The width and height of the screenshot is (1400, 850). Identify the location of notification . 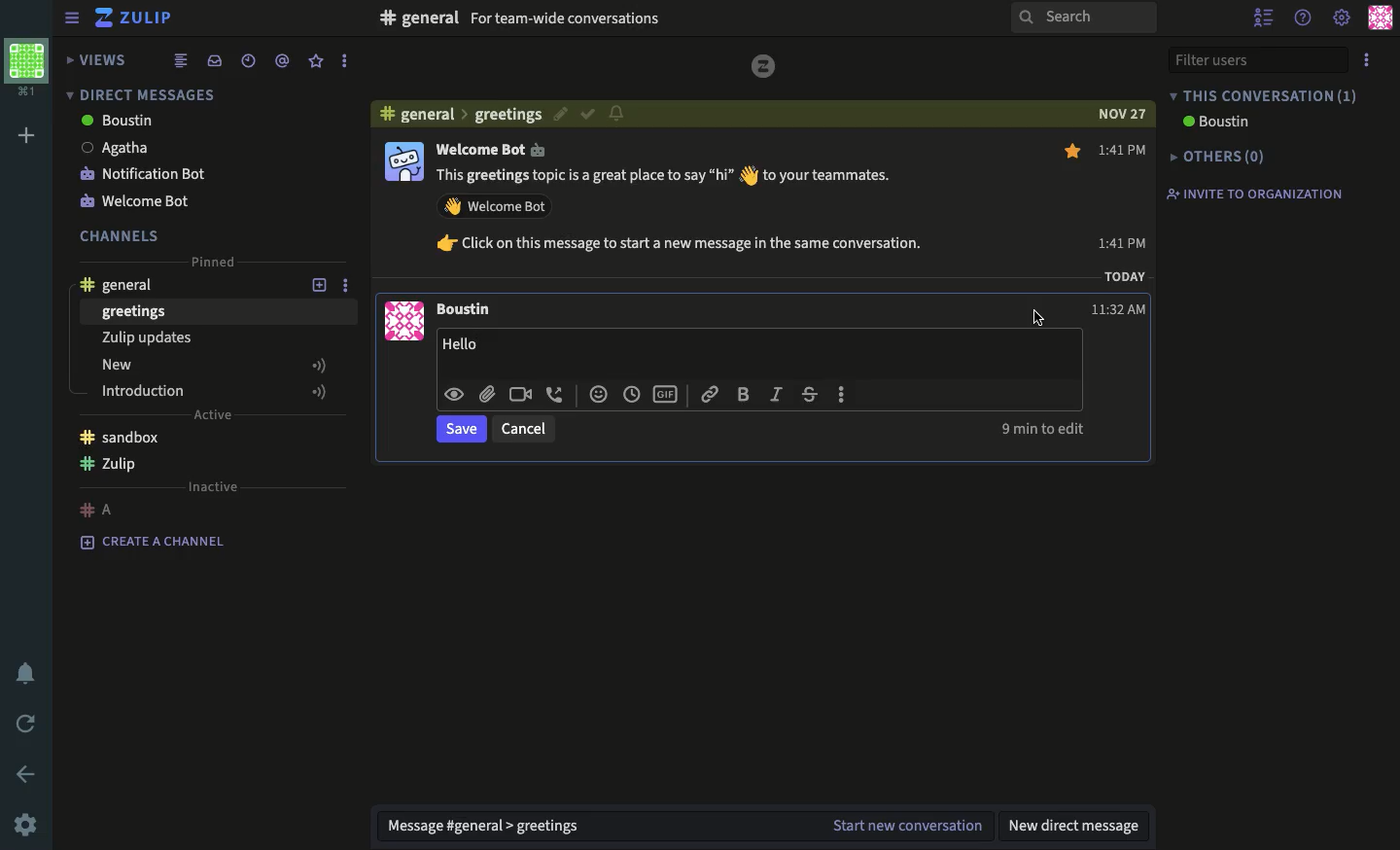
(618, 115).